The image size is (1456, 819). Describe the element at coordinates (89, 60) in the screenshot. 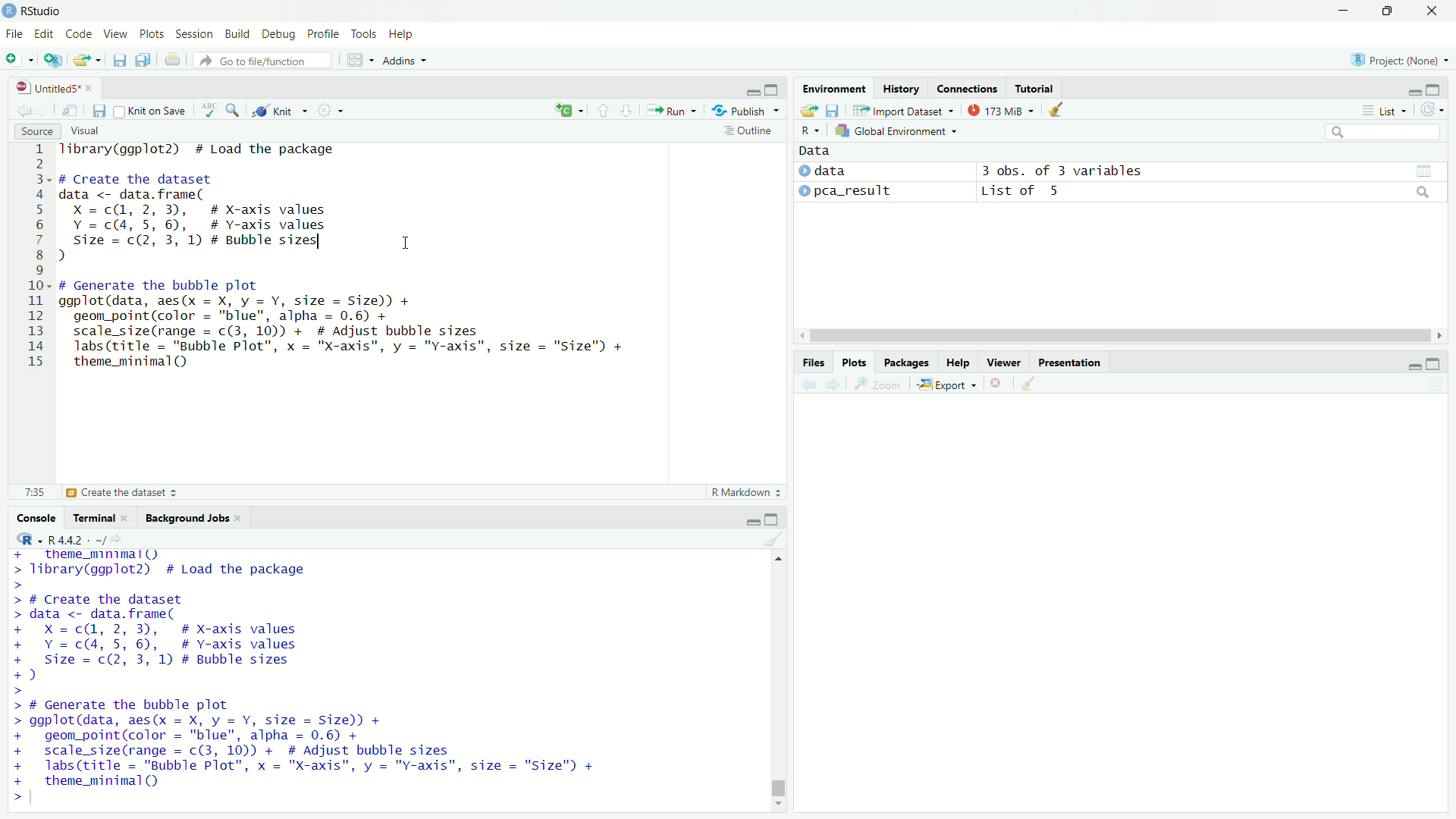

I see `load workspace` at that location.